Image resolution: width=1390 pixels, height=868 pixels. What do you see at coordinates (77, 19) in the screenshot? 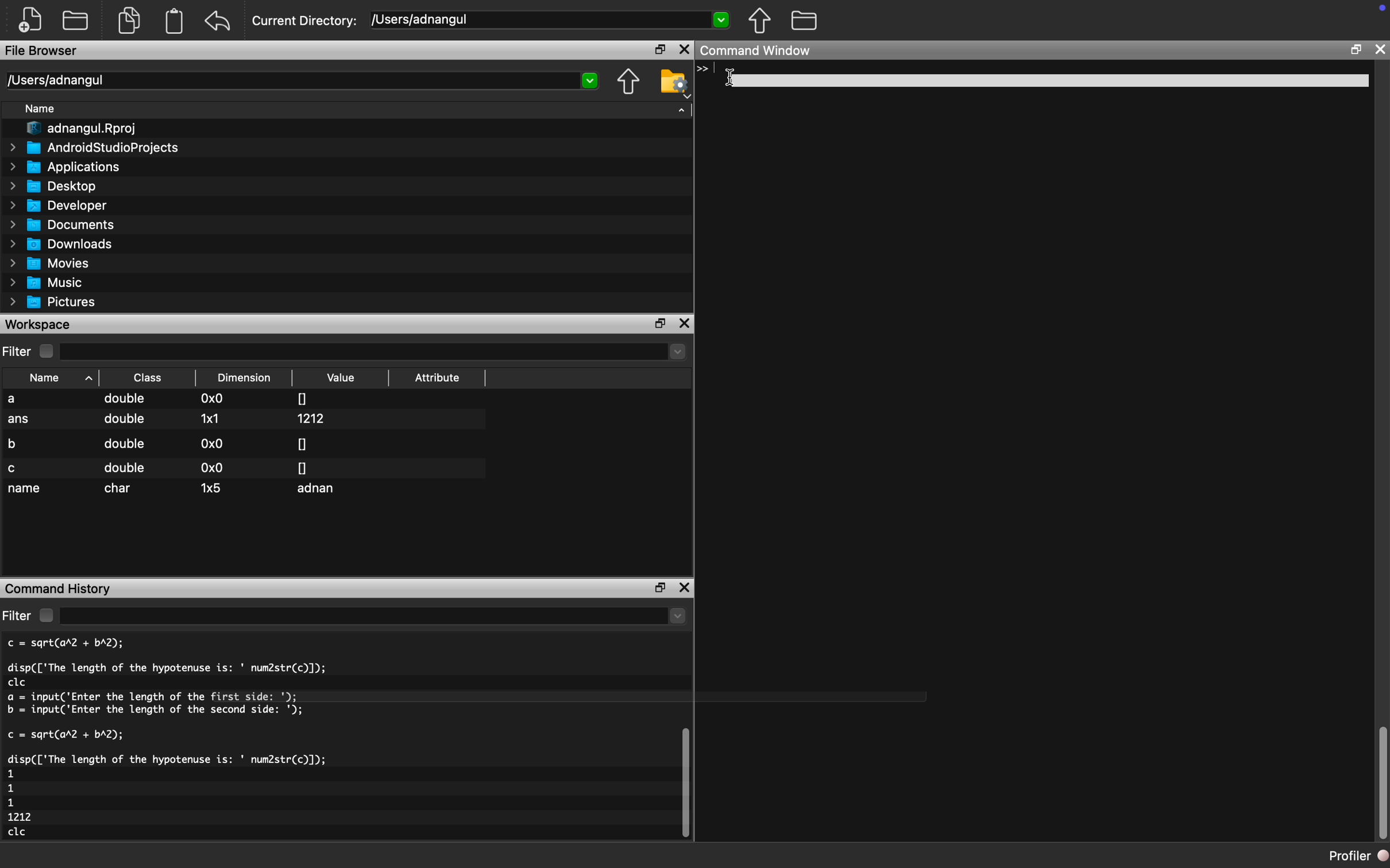
I see `open folder` at bounding box center [77, 19].